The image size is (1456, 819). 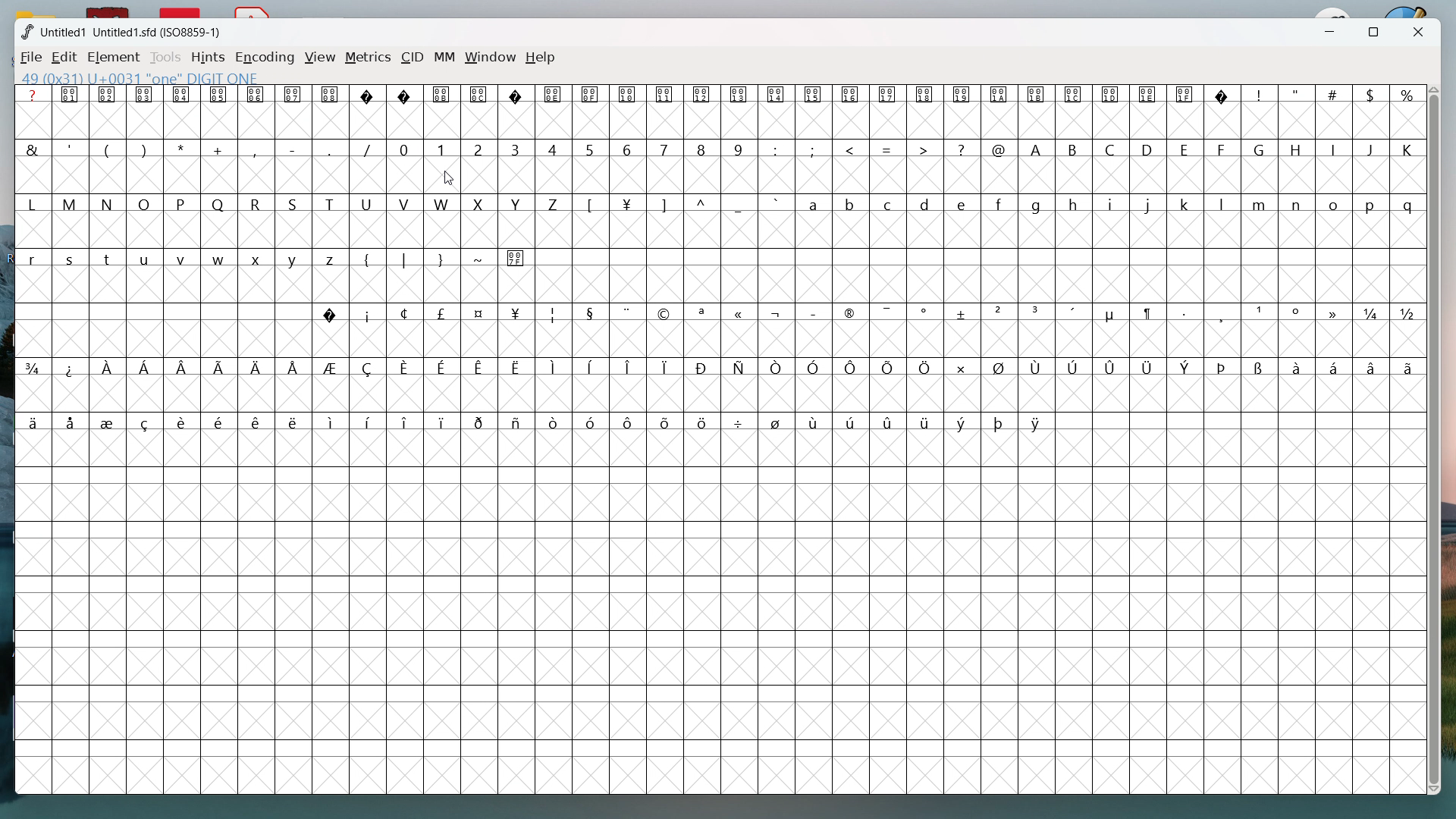 What do you see at coordinates (443, 203) in the screenshot?
I see `W` at bounding box center [443, 203].